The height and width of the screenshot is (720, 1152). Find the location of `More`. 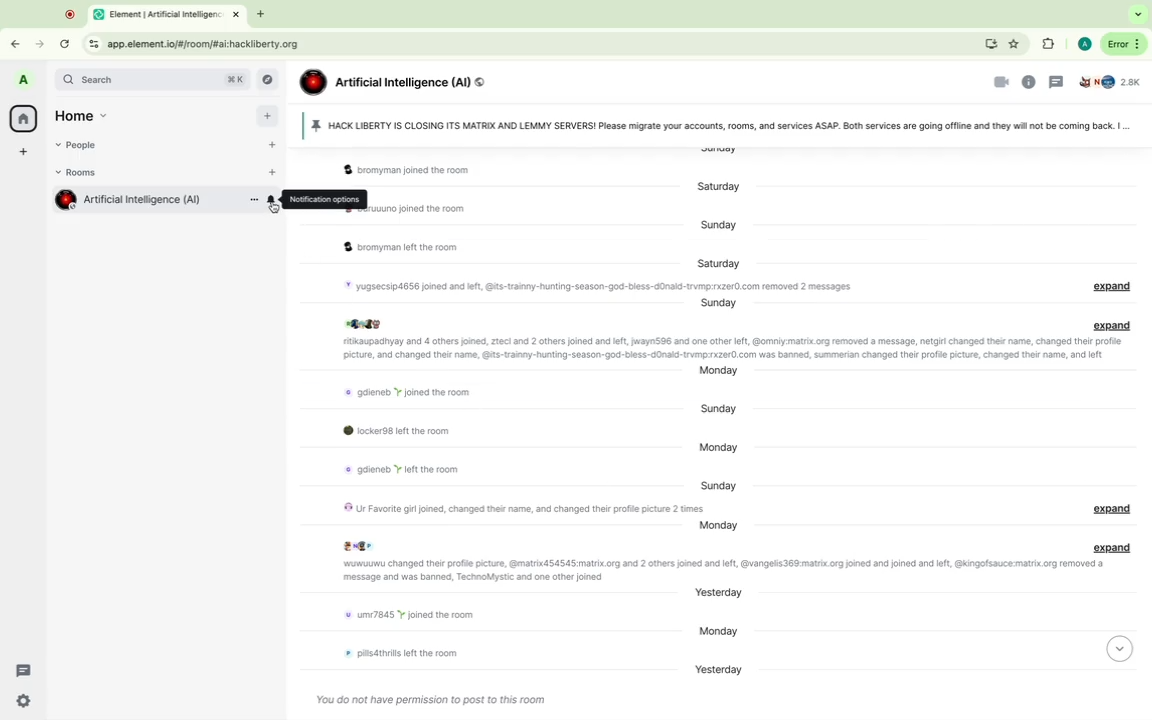

More is located at coordinates (1124, 43).